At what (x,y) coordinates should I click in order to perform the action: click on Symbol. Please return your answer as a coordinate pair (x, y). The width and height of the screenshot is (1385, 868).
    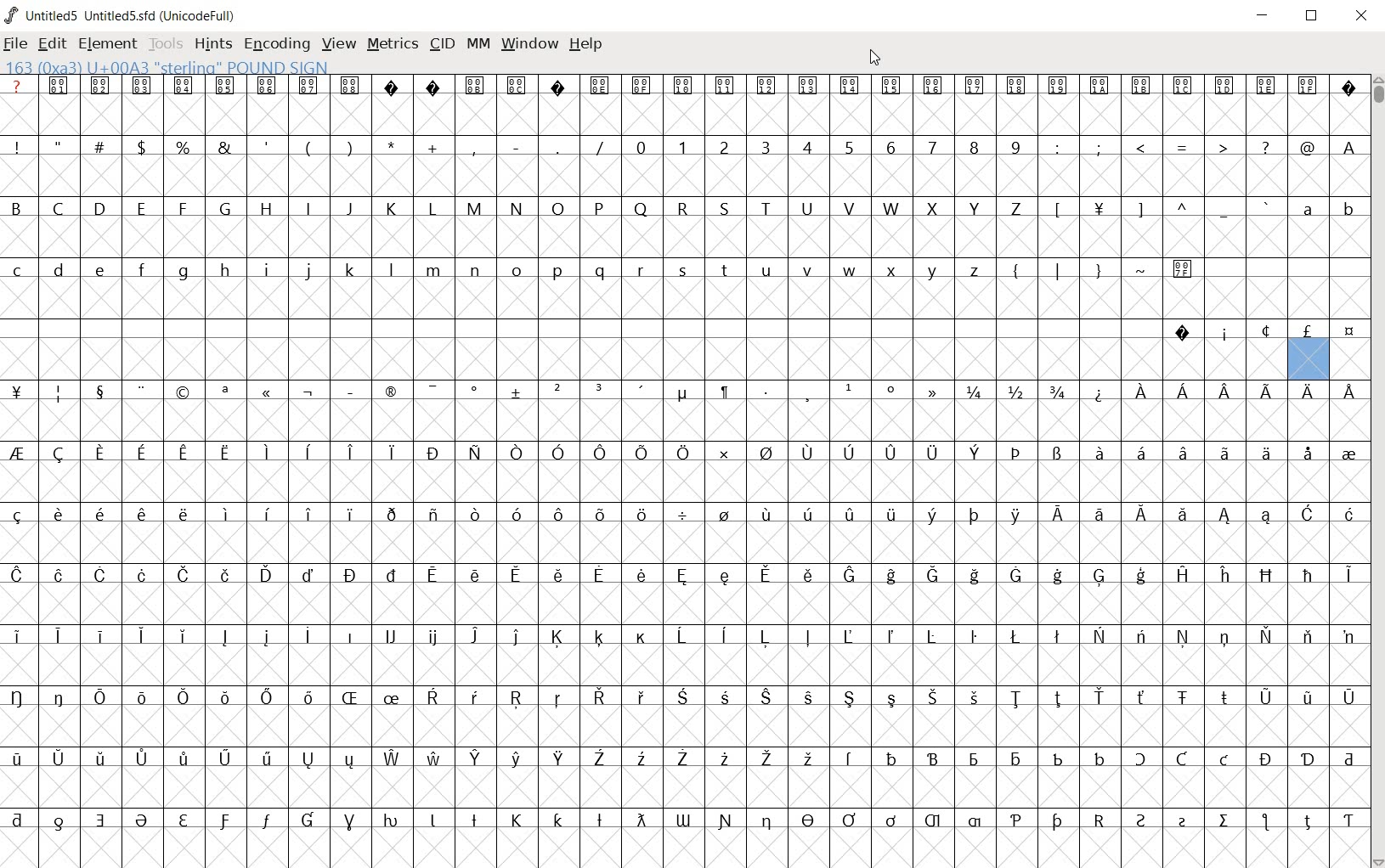
    Looking at the image, I should click on (266, 576).